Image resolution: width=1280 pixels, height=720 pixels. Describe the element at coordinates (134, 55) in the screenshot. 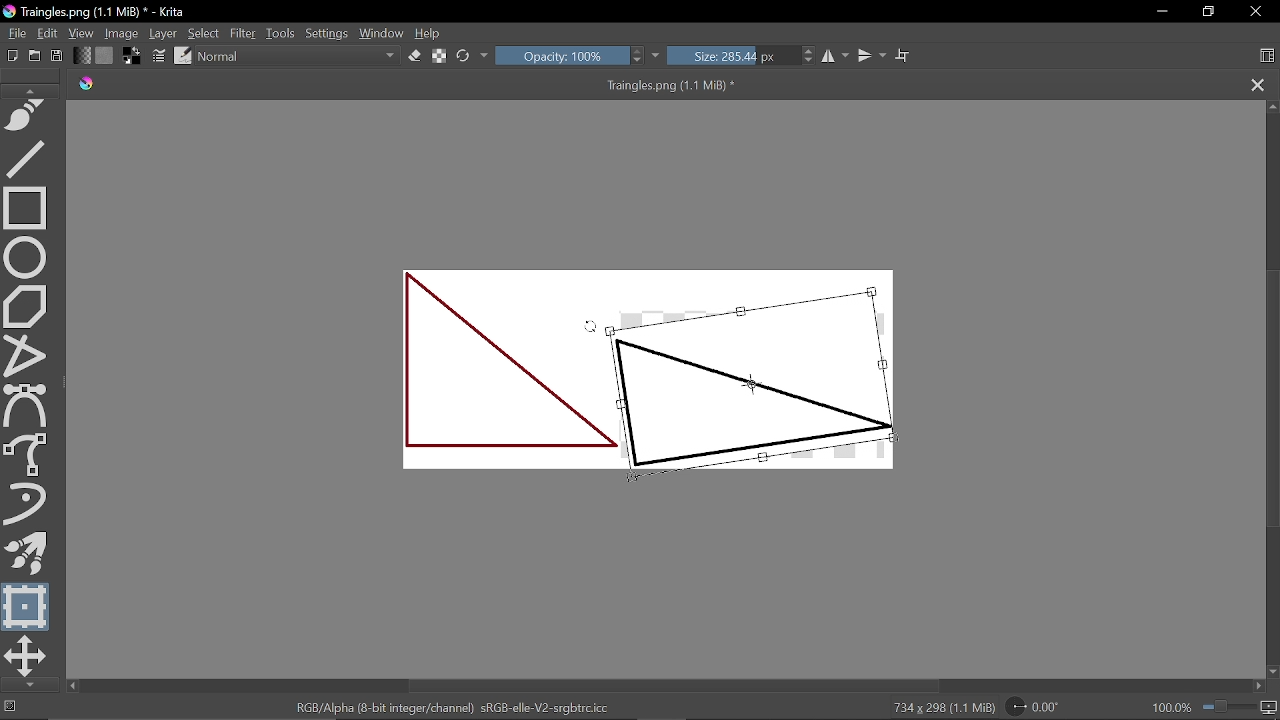

I see `Foreground color` at that location.